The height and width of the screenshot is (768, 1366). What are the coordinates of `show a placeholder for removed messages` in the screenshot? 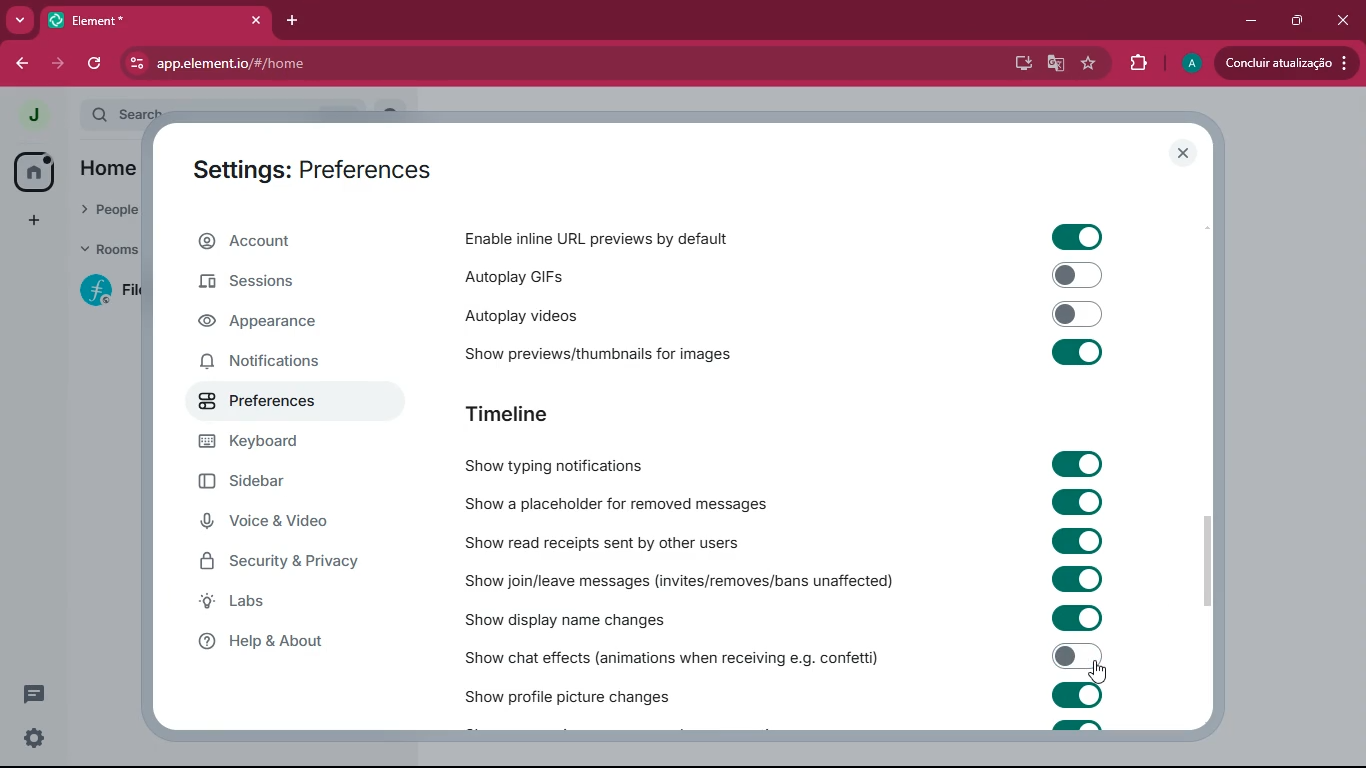 It's located at (616, 505).